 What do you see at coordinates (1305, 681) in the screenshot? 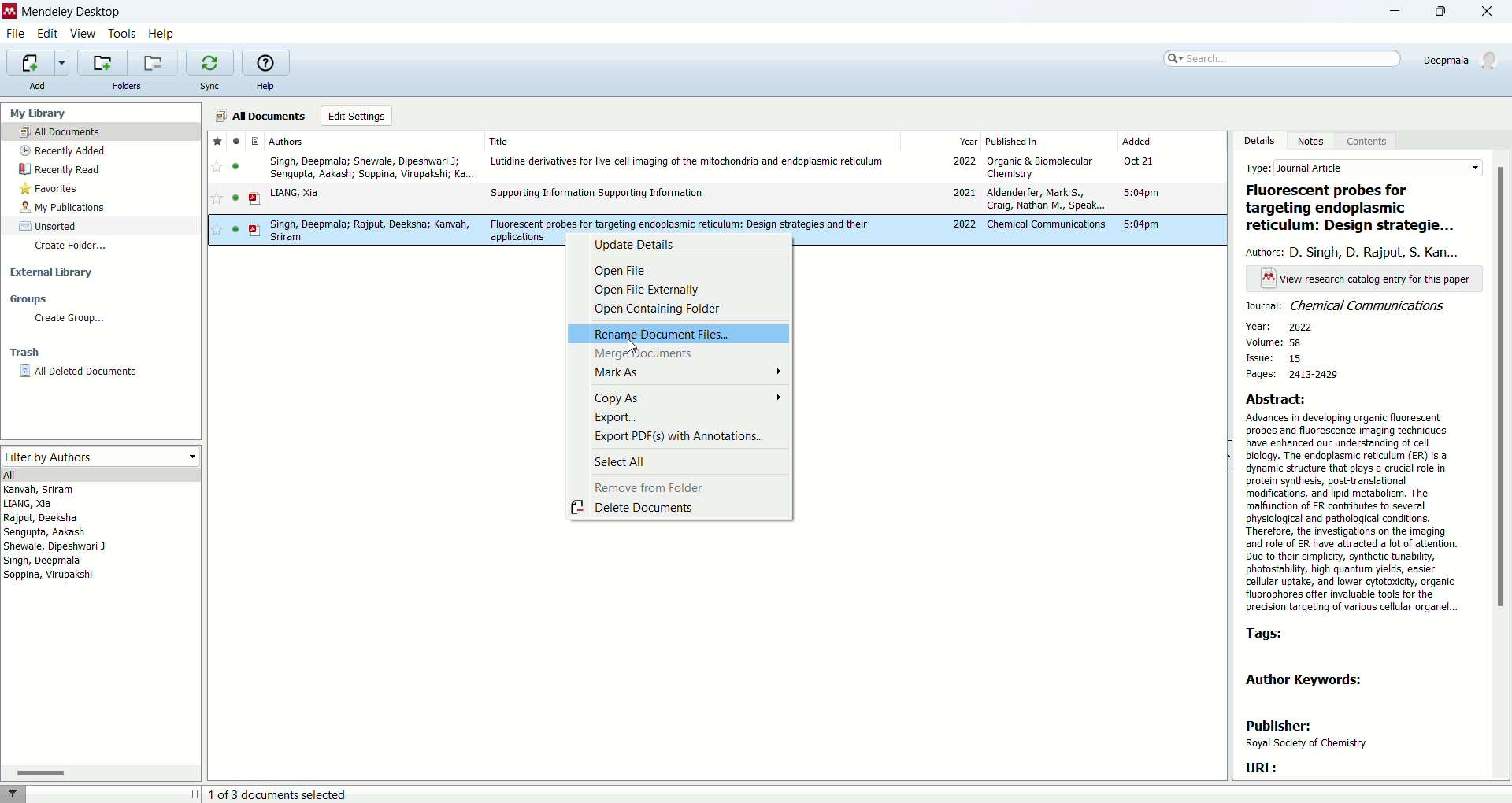
I see `author keywords` at bounding box center [1305, 681].